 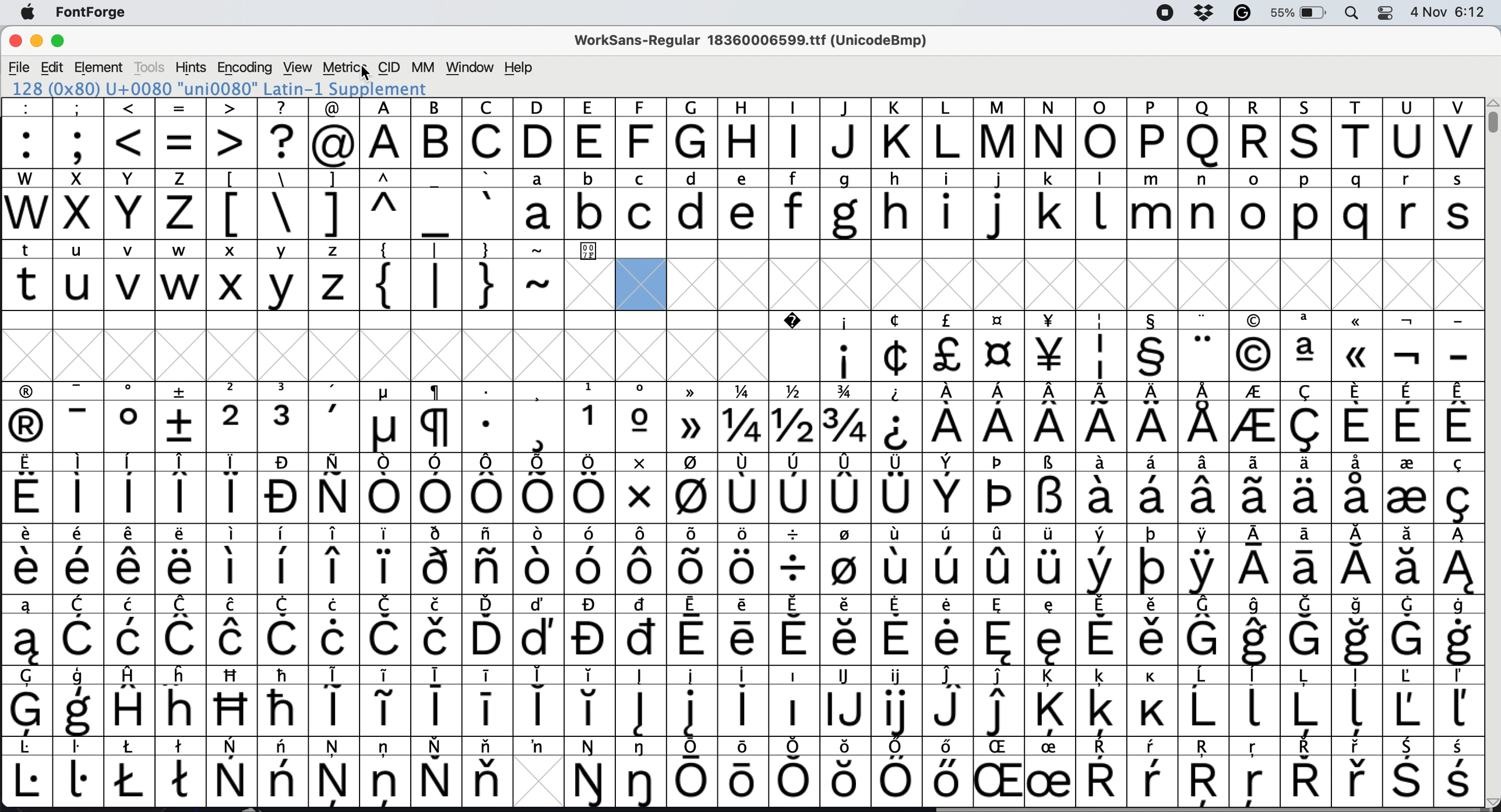 What do you see at coordinates (743, 535) in the screenshot?
I see `special characters` at bounding box center [743, 535].